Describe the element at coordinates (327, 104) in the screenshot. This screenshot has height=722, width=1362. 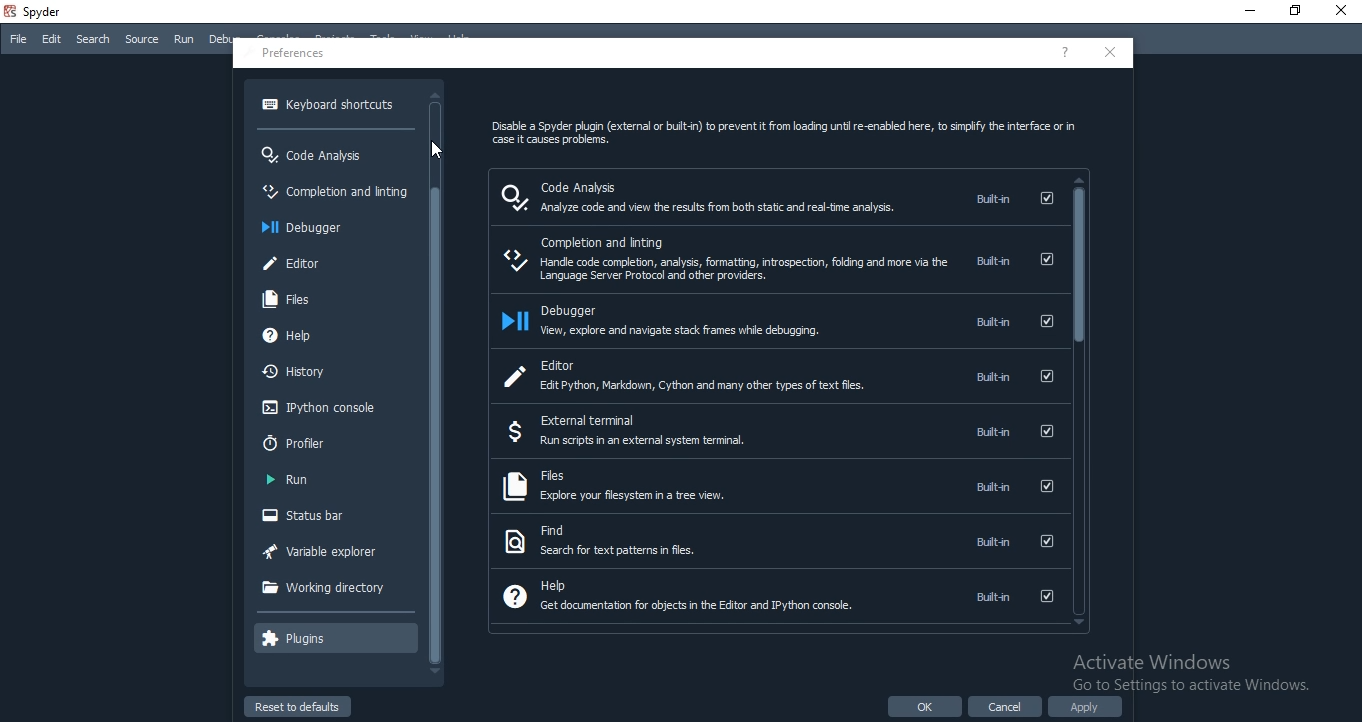
I see `Keyboard shortcuts` at that location.